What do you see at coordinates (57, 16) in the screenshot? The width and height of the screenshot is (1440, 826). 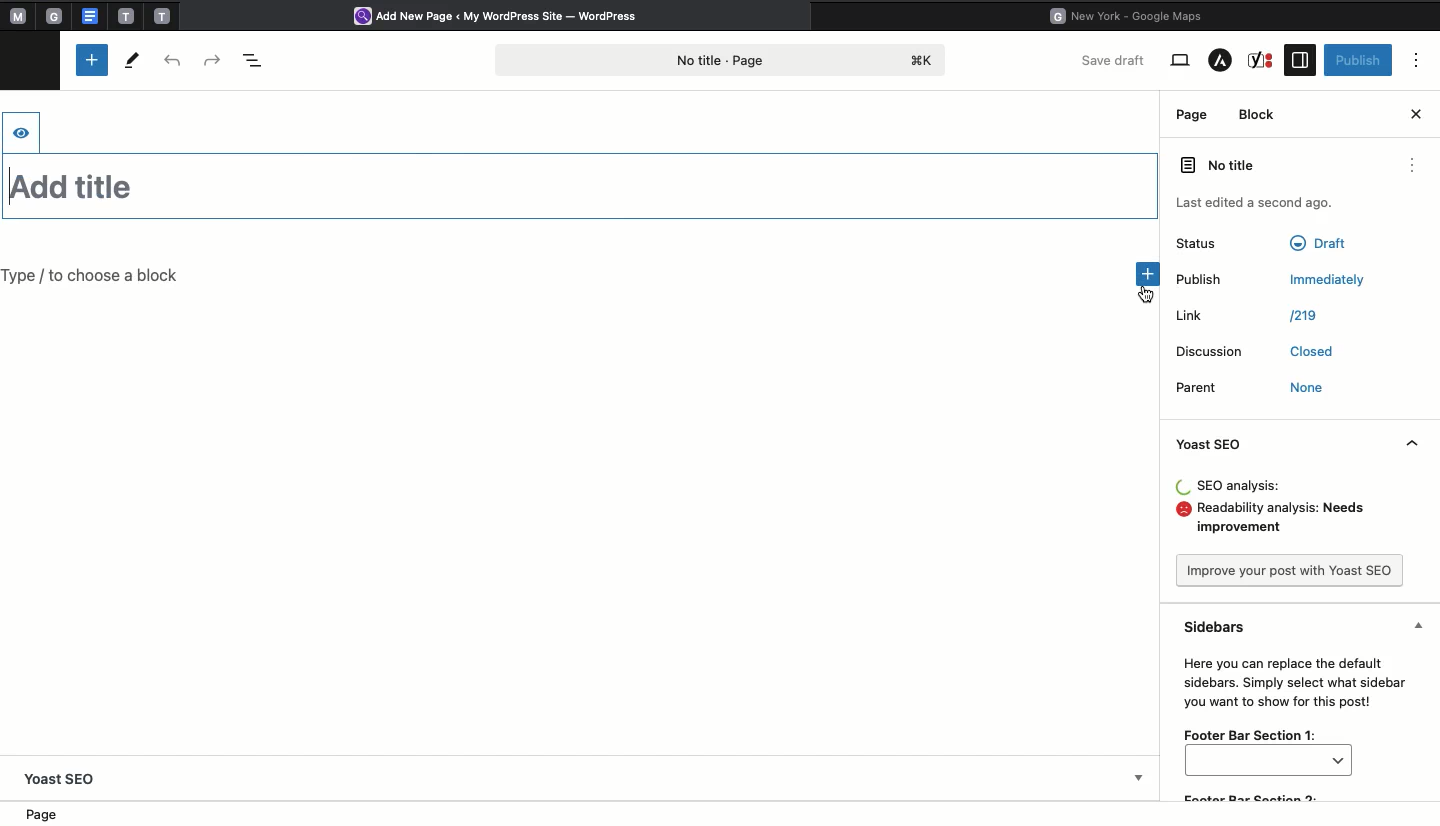 I see `tab` at bounding box center [57, 16].